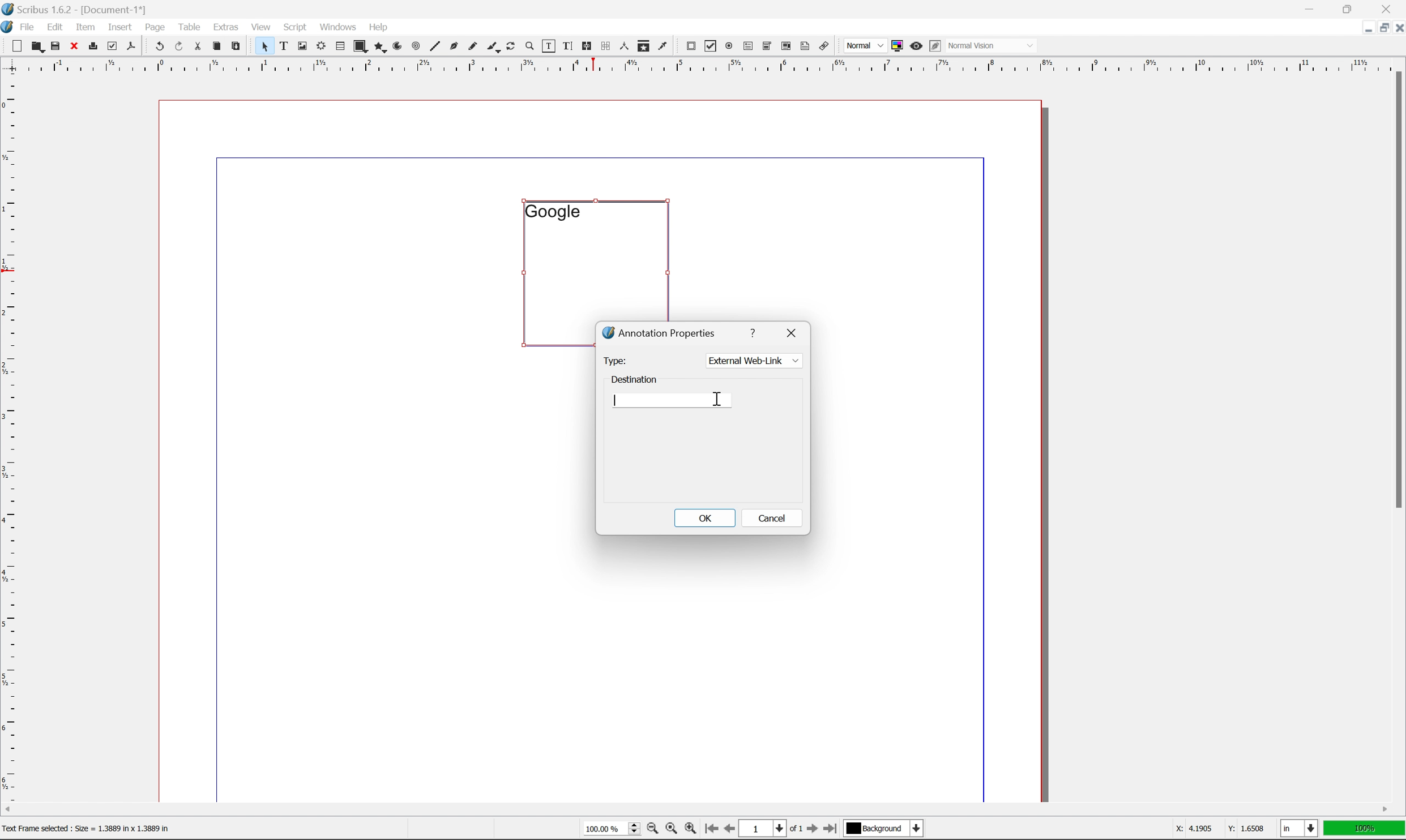  I want to click on link text frames, so click(585, 46).